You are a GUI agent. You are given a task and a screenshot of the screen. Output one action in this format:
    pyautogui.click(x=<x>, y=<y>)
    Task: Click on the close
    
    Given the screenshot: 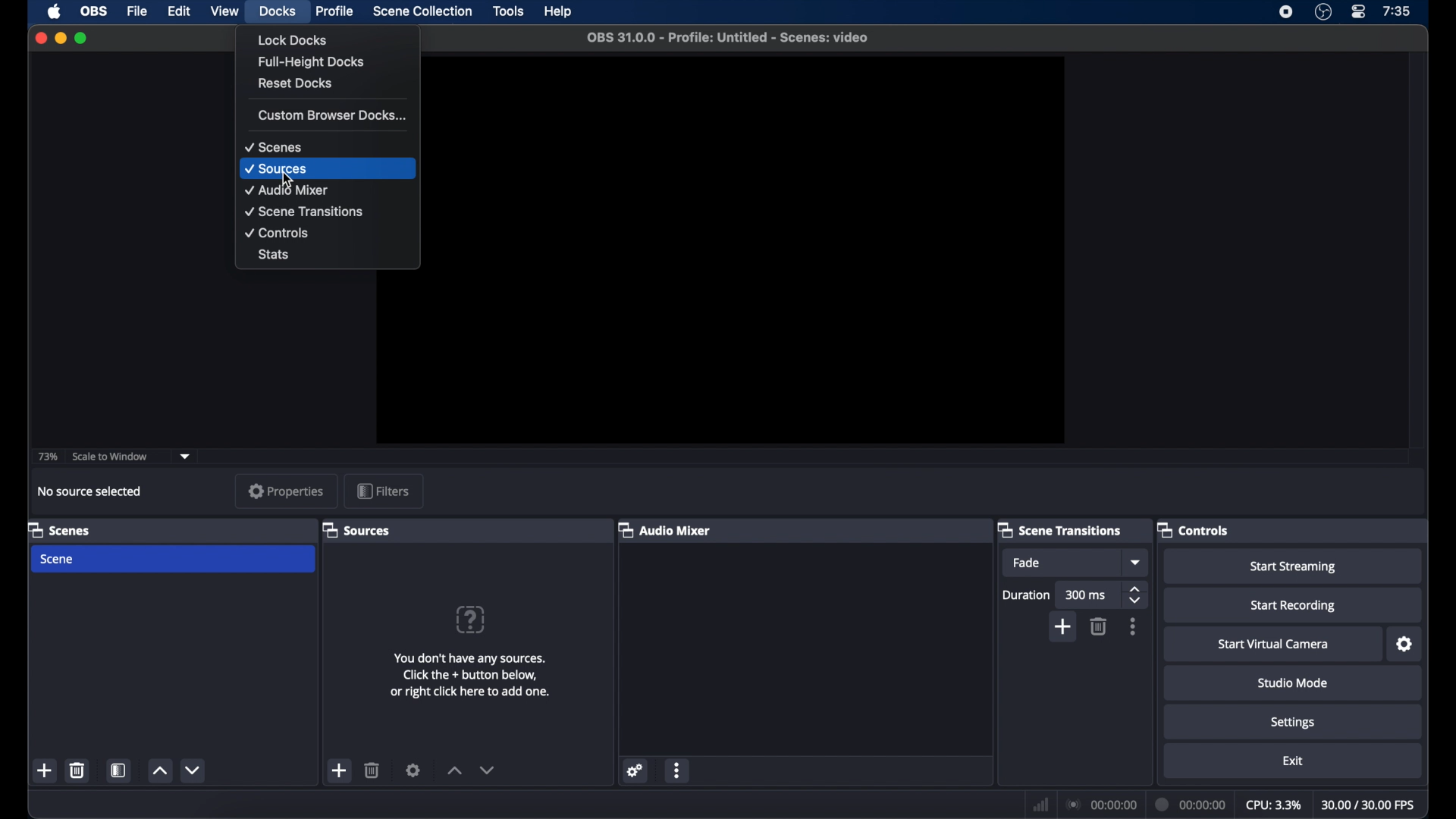 What is the action you would take?
    pyautogui.click(x=40, y=38)
    